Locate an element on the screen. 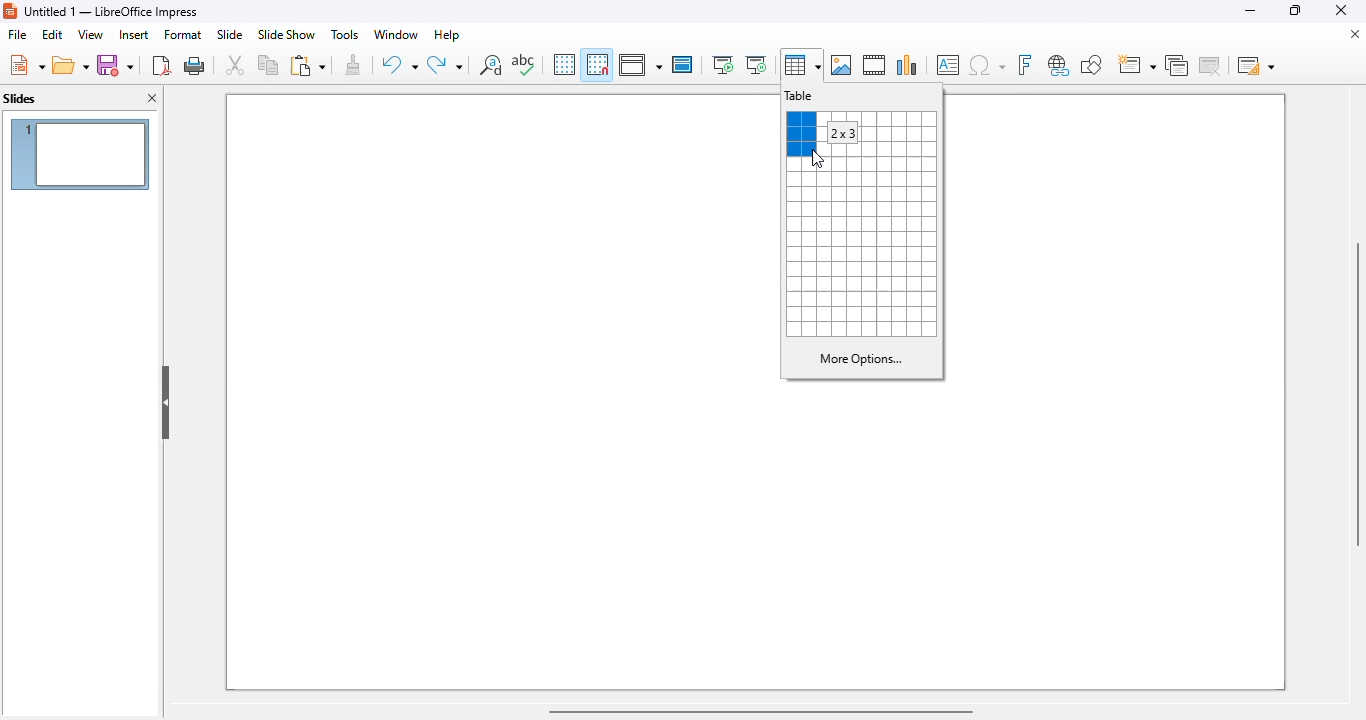 This screenshot has width=1366, height=720. slide 1 is located at coordinates (500, 240).